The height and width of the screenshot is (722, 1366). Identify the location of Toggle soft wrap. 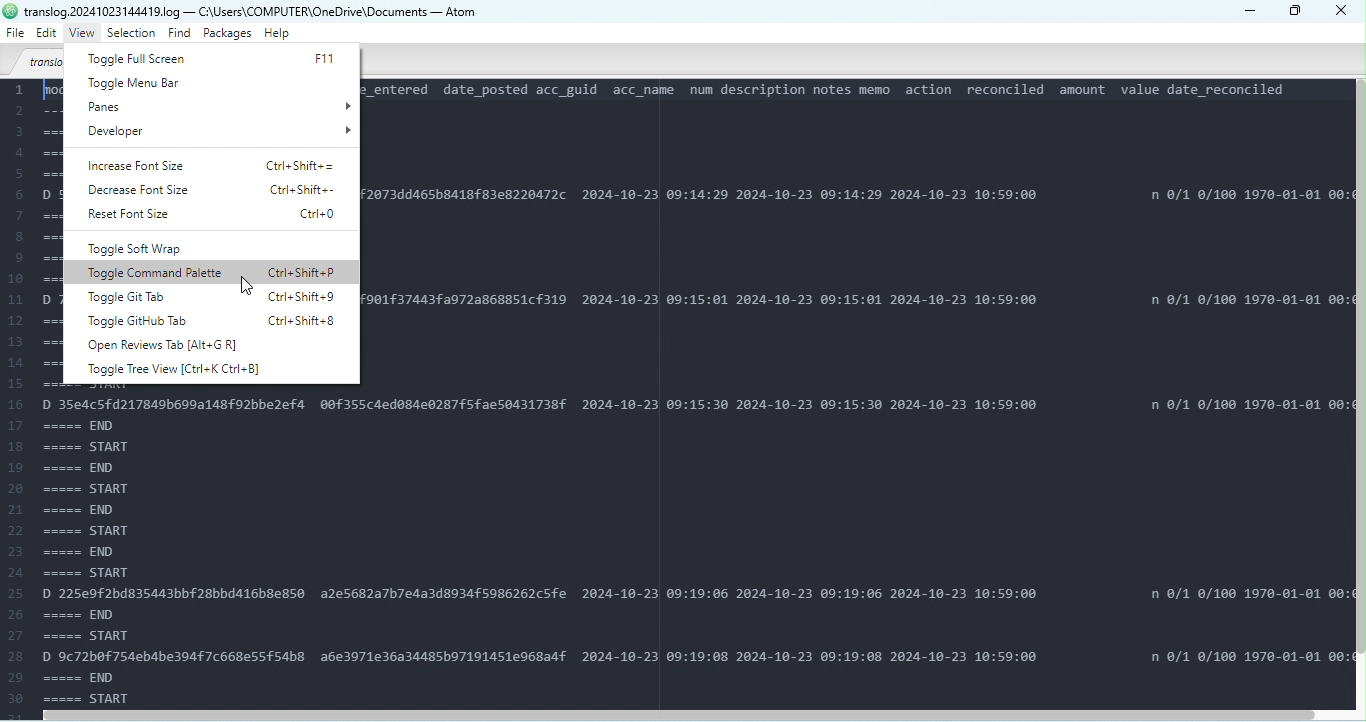
(204, 250).